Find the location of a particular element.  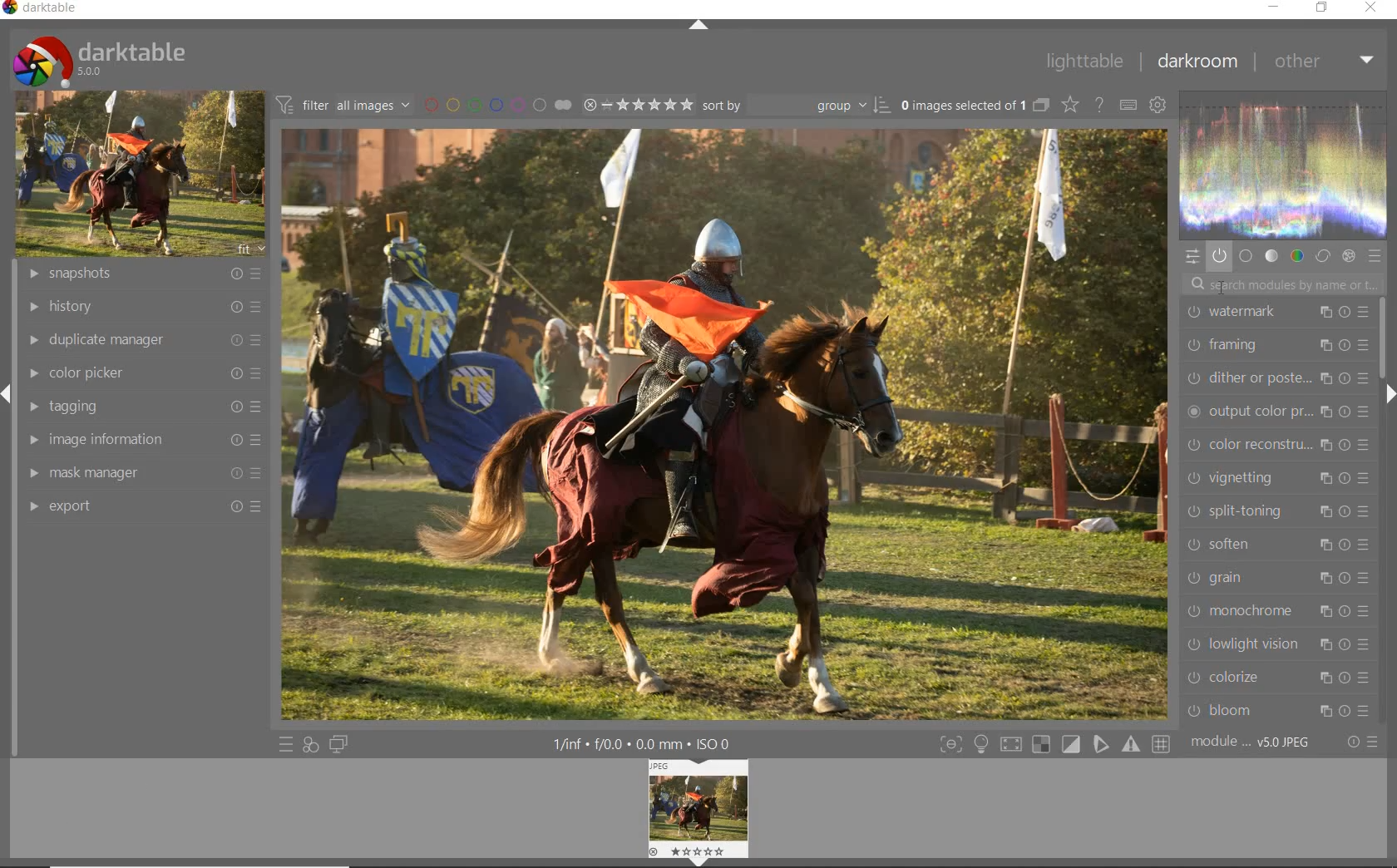

display a second darkroom image widow is located at coordinates (339, 743).